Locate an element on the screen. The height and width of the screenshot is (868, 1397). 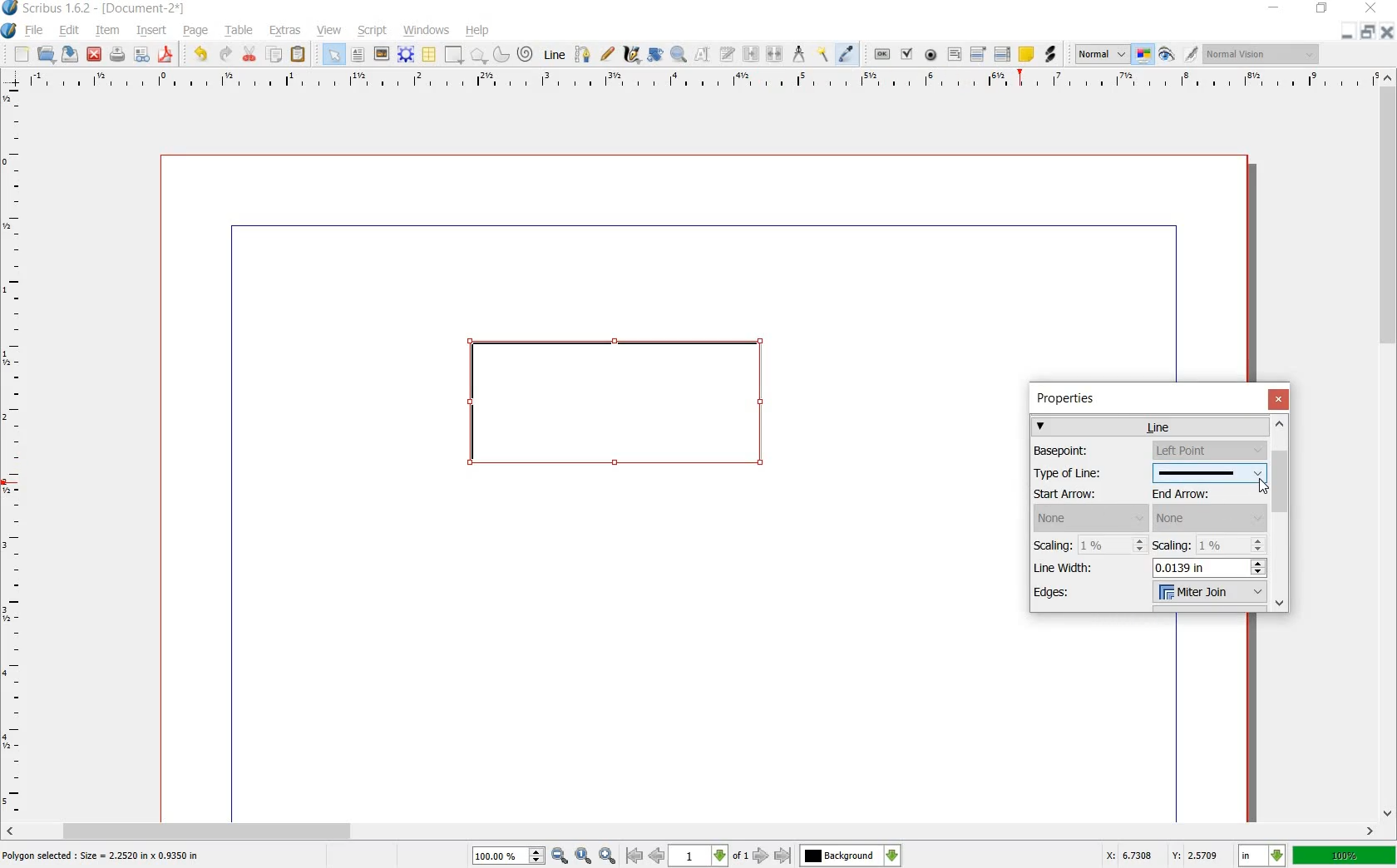
Type of Line: is located at coordinates (1085, 475).